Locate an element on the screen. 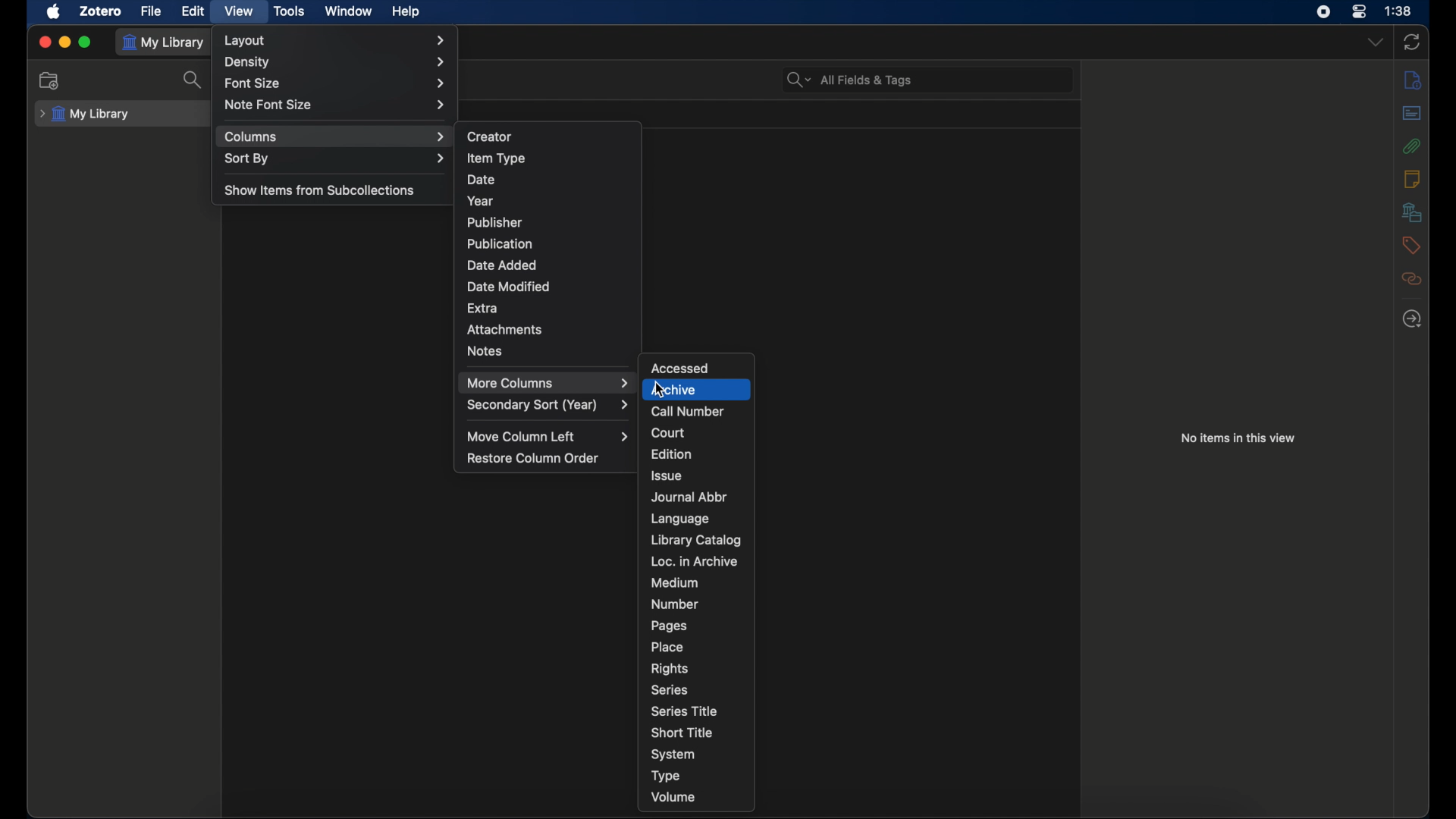  attachments is located at coordinates (1412, 146).